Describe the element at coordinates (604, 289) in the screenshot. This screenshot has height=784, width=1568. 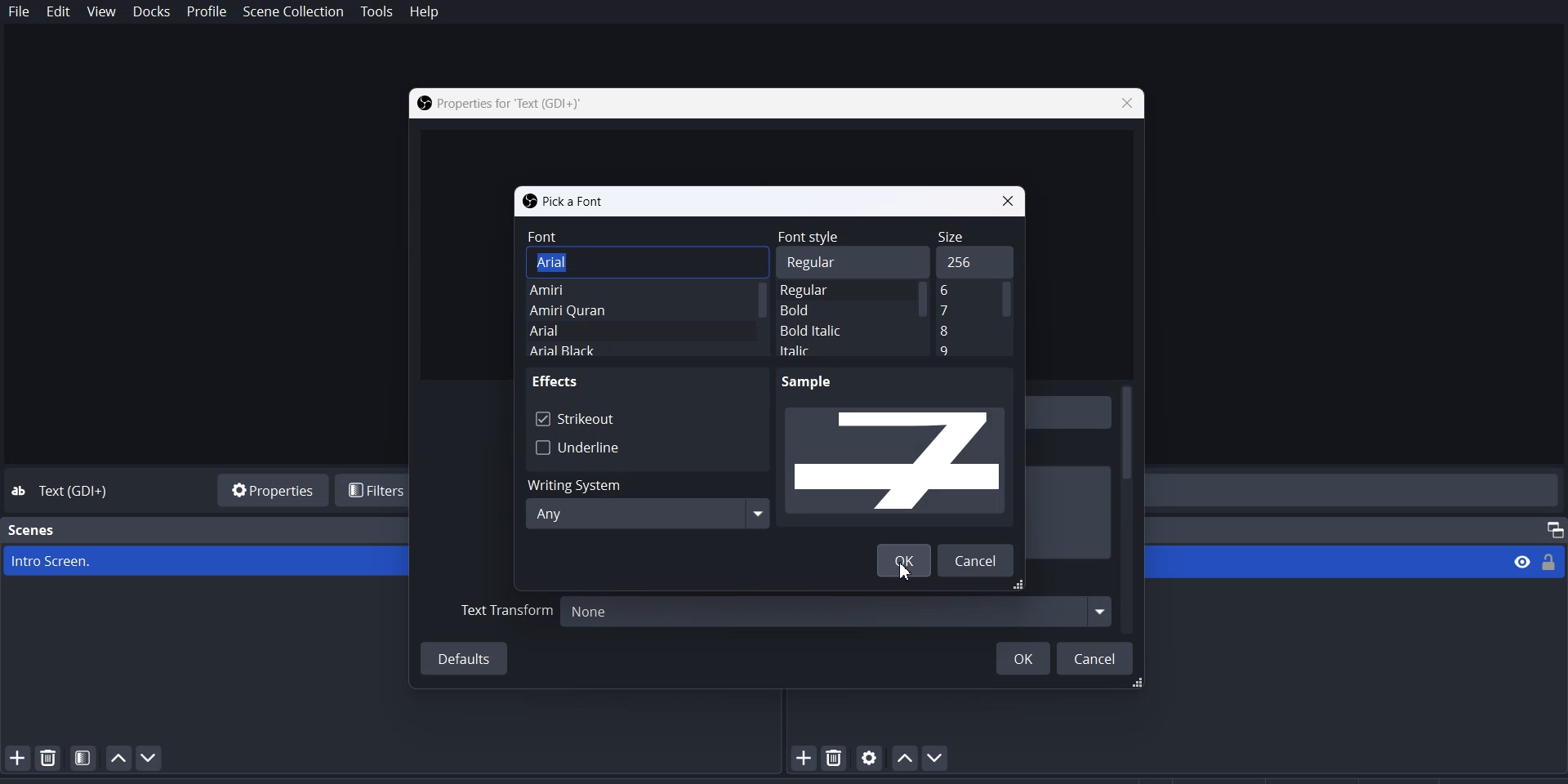
I see `Amiri` at that location.